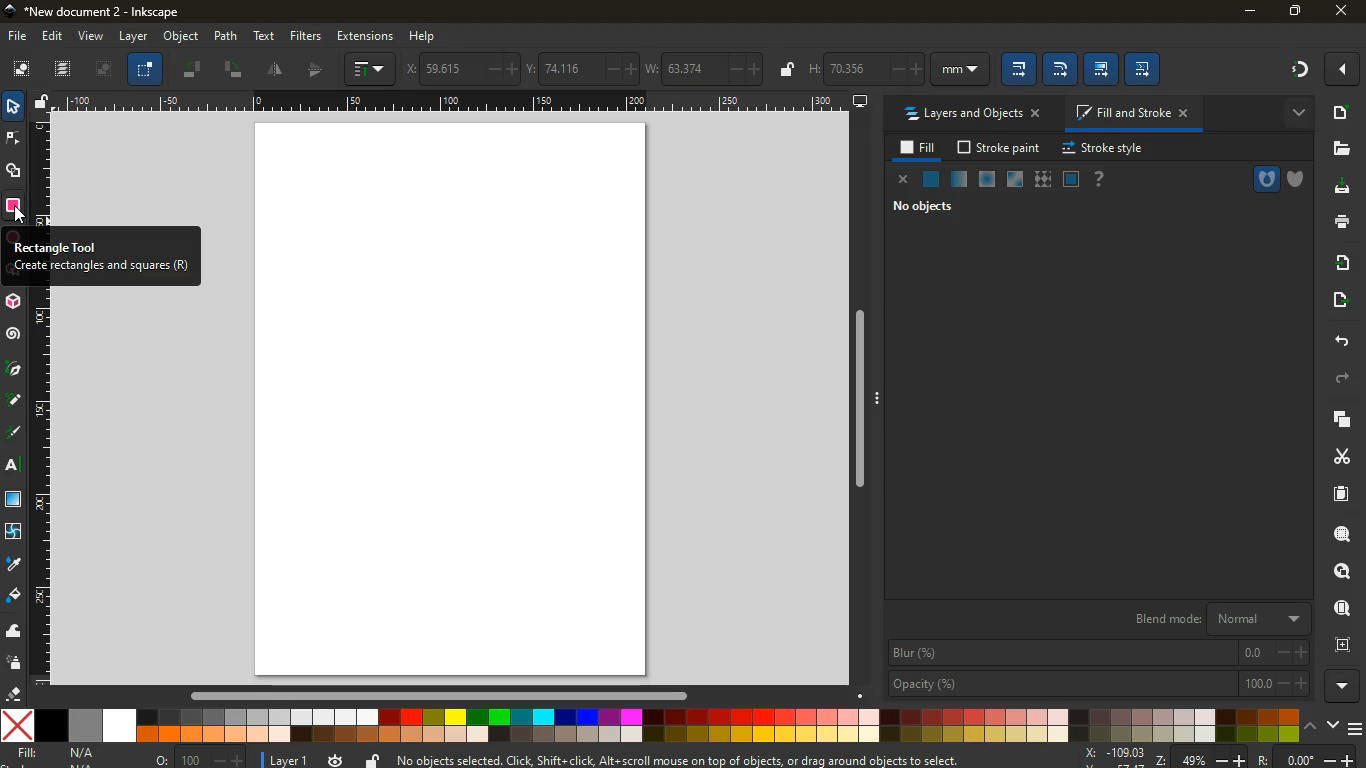  I want to click on maximize, so click(1293, 10).